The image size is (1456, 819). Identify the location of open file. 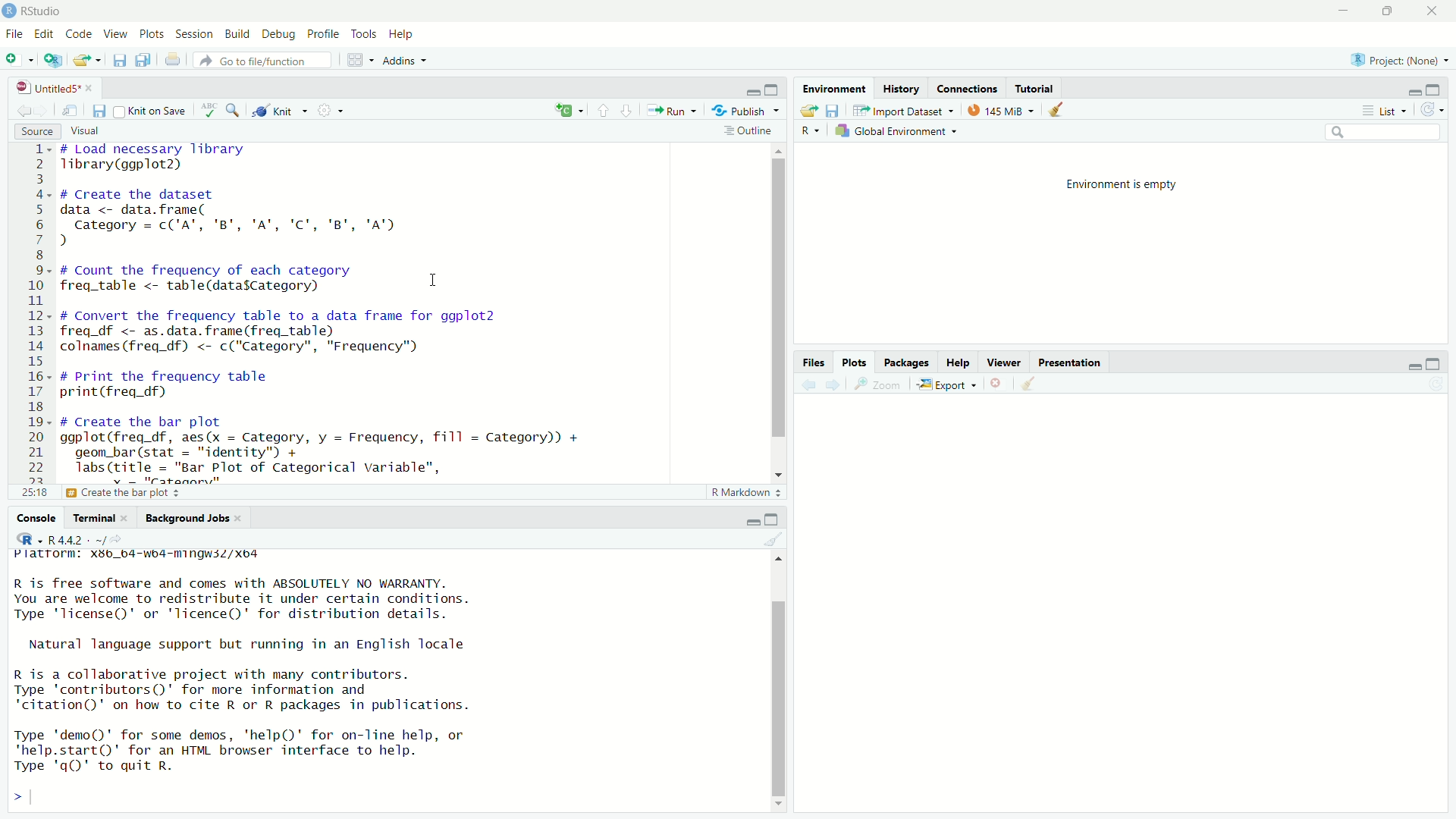
(87, 60).